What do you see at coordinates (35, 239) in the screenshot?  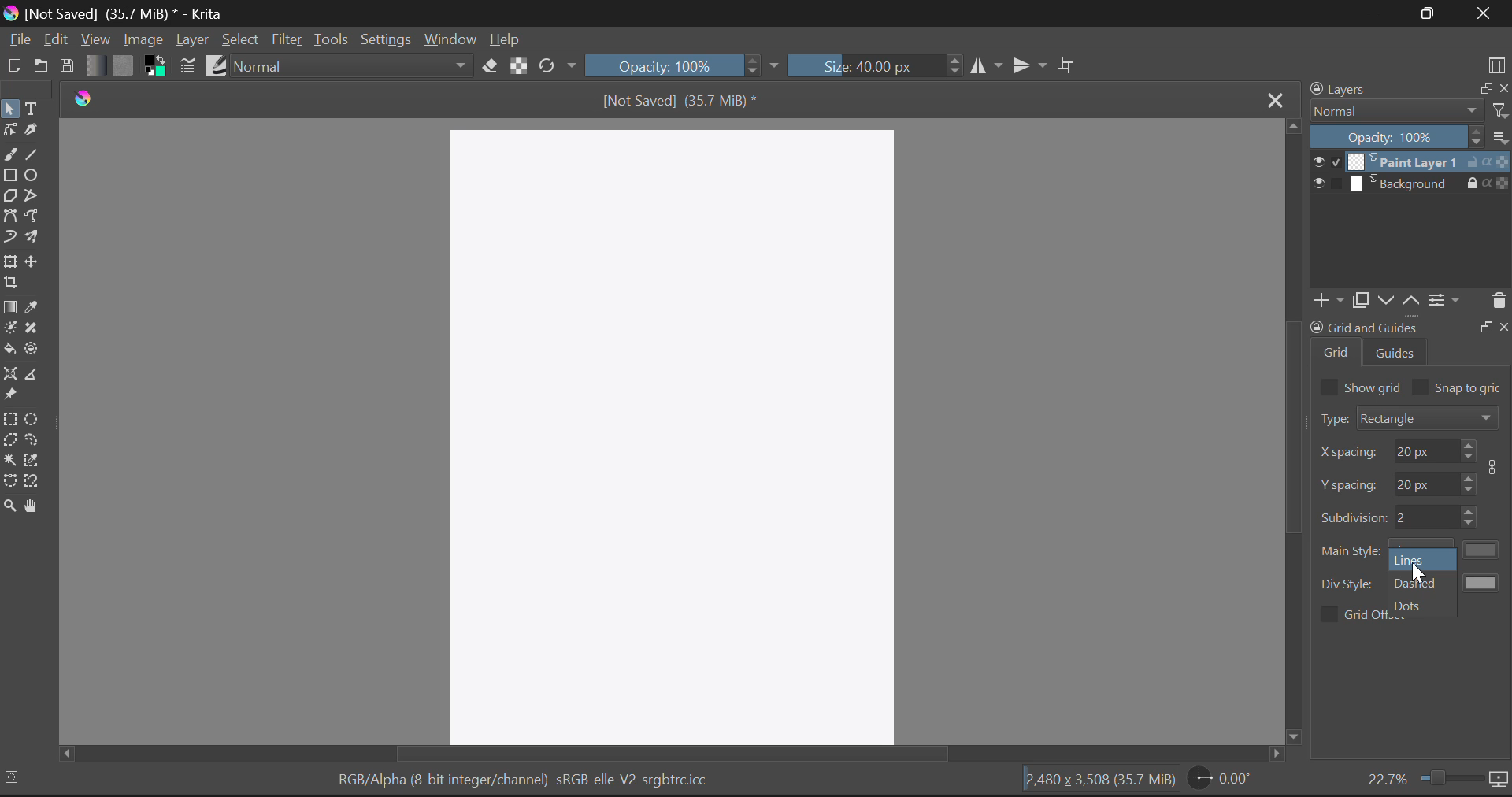 I see `Multibrush Tool` at bounding box center [35, 239].